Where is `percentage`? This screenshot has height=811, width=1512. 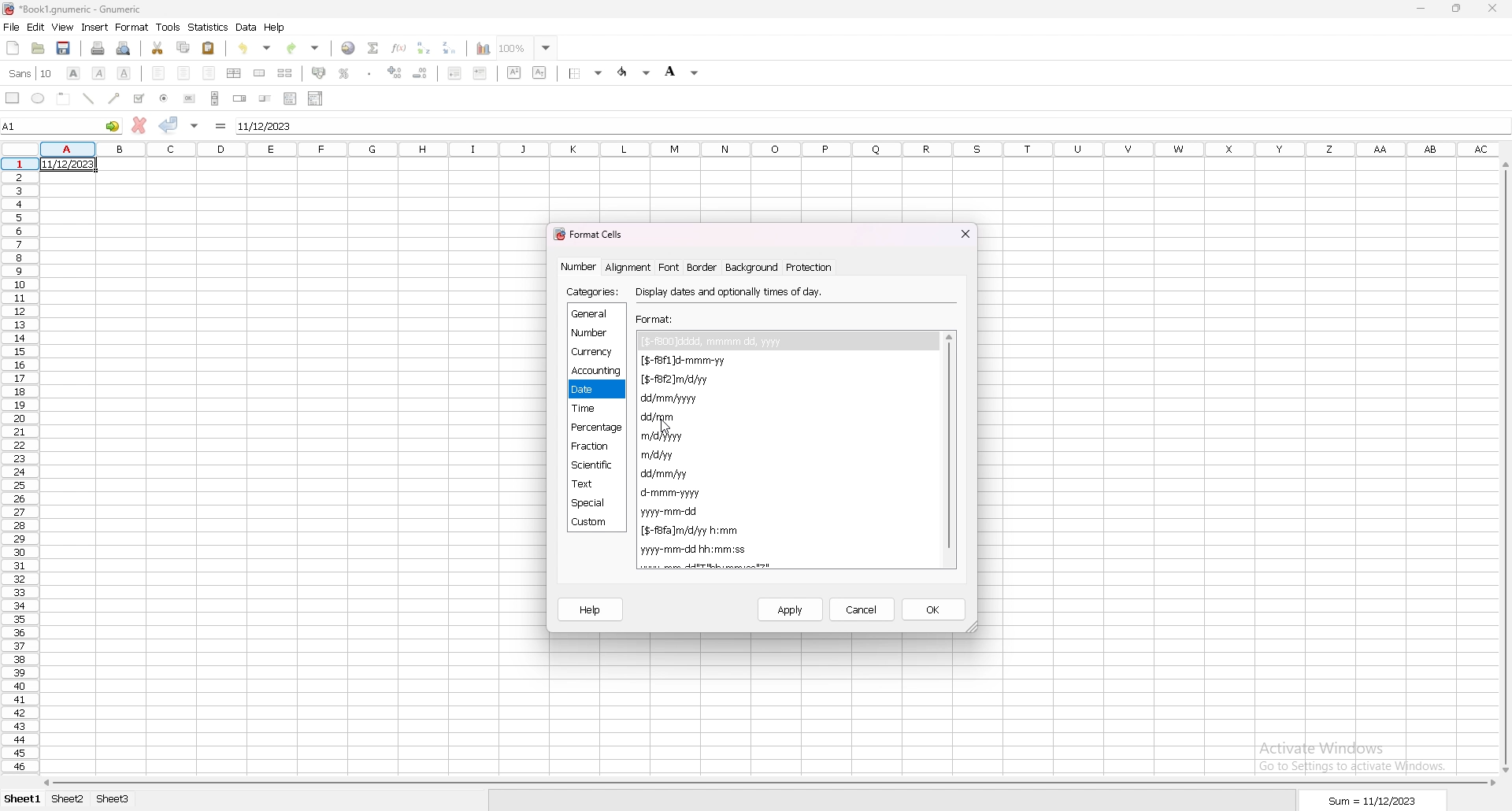
percentage is located at coordinates (344, 73).